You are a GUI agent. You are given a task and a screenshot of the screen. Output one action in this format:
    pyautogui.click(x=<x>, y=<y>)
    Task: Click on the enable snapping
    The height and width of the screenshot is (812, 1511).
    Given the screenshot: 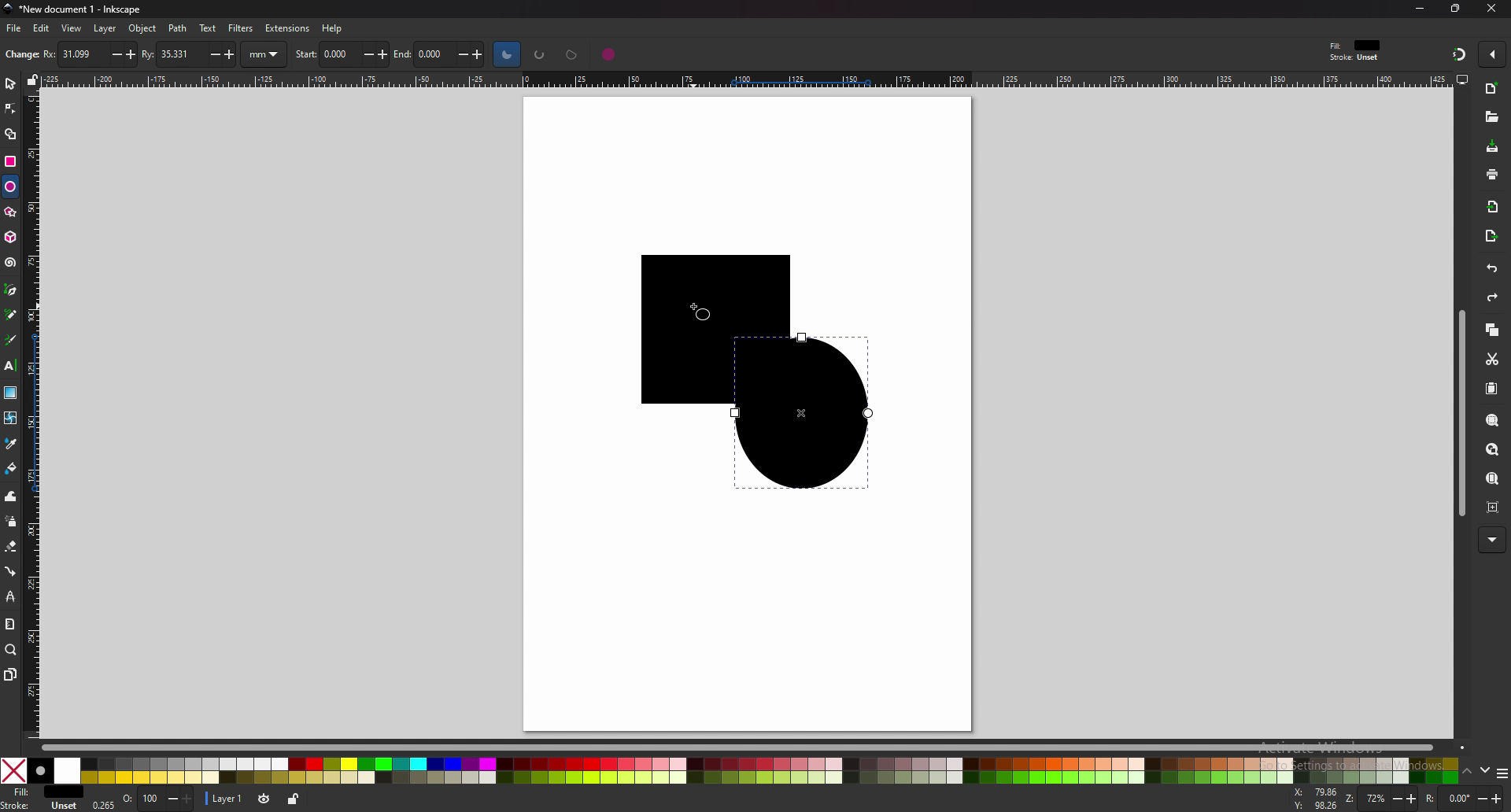 What is the action you would take?
    pyautogui.click(x=1491, y=54)
    